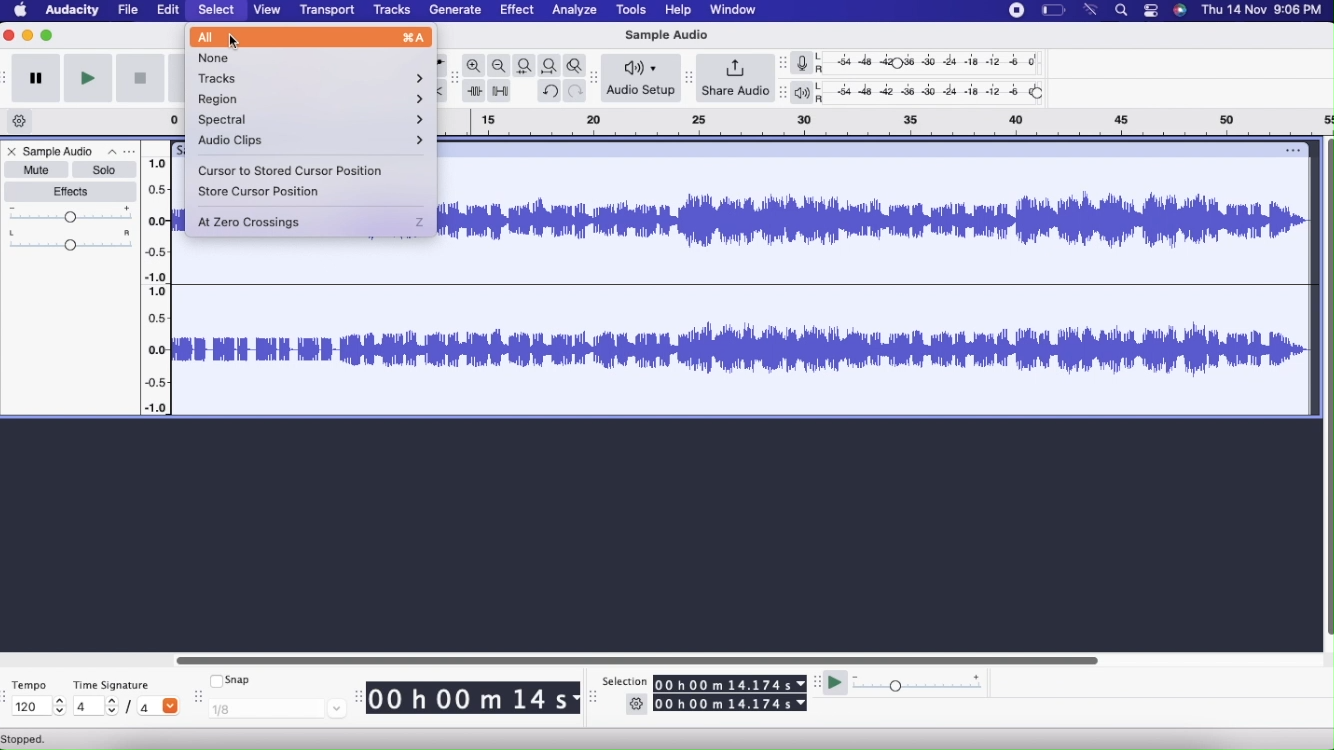 The height and width of the screenshot is (750, 1334). What do you see at coordinates (157, 706) in the screenshot?
I see `/4` at bounding box center [157, 706].